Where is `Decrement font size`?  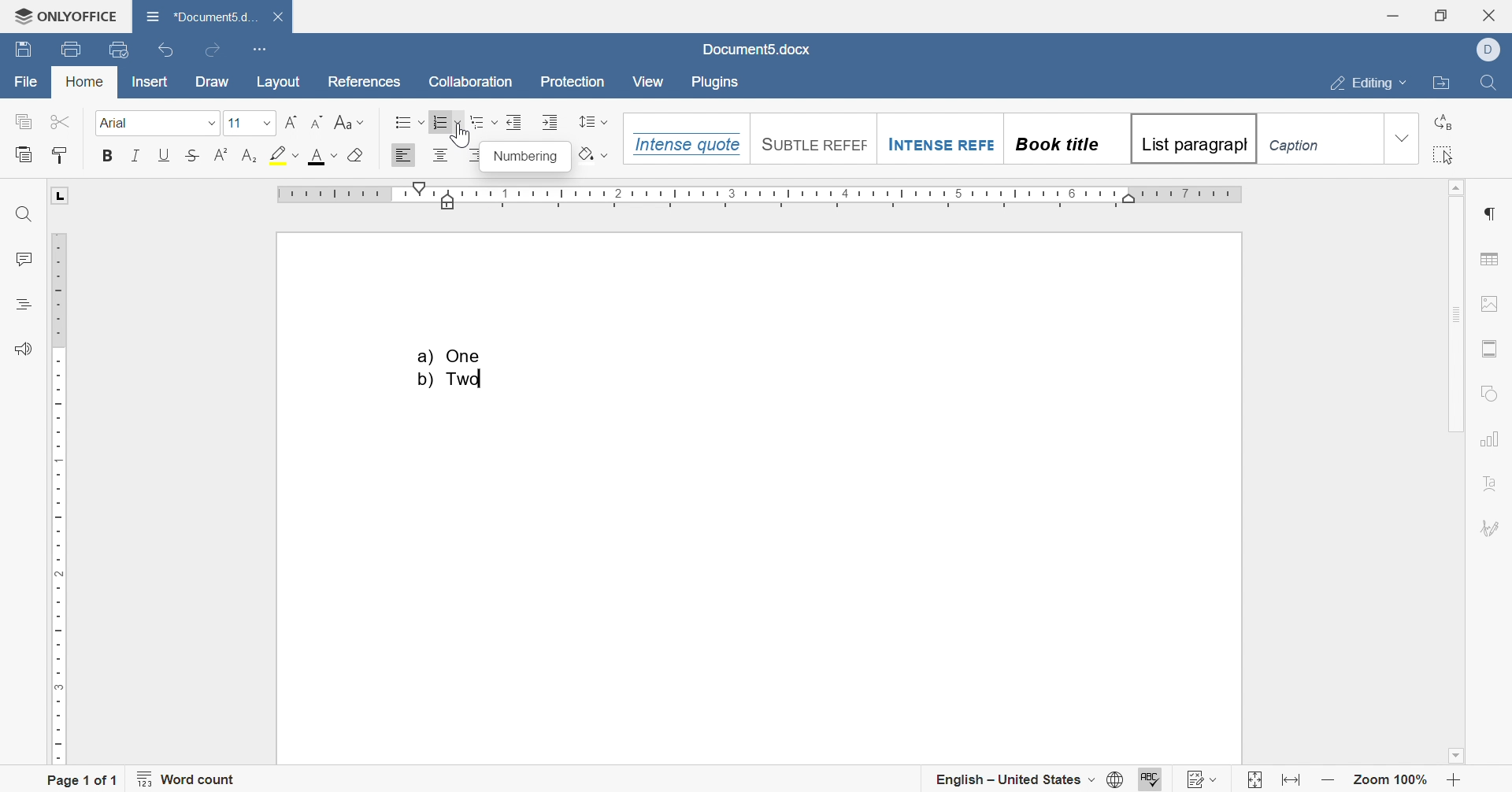
Decrement font size is located at coordinates (317, 122).